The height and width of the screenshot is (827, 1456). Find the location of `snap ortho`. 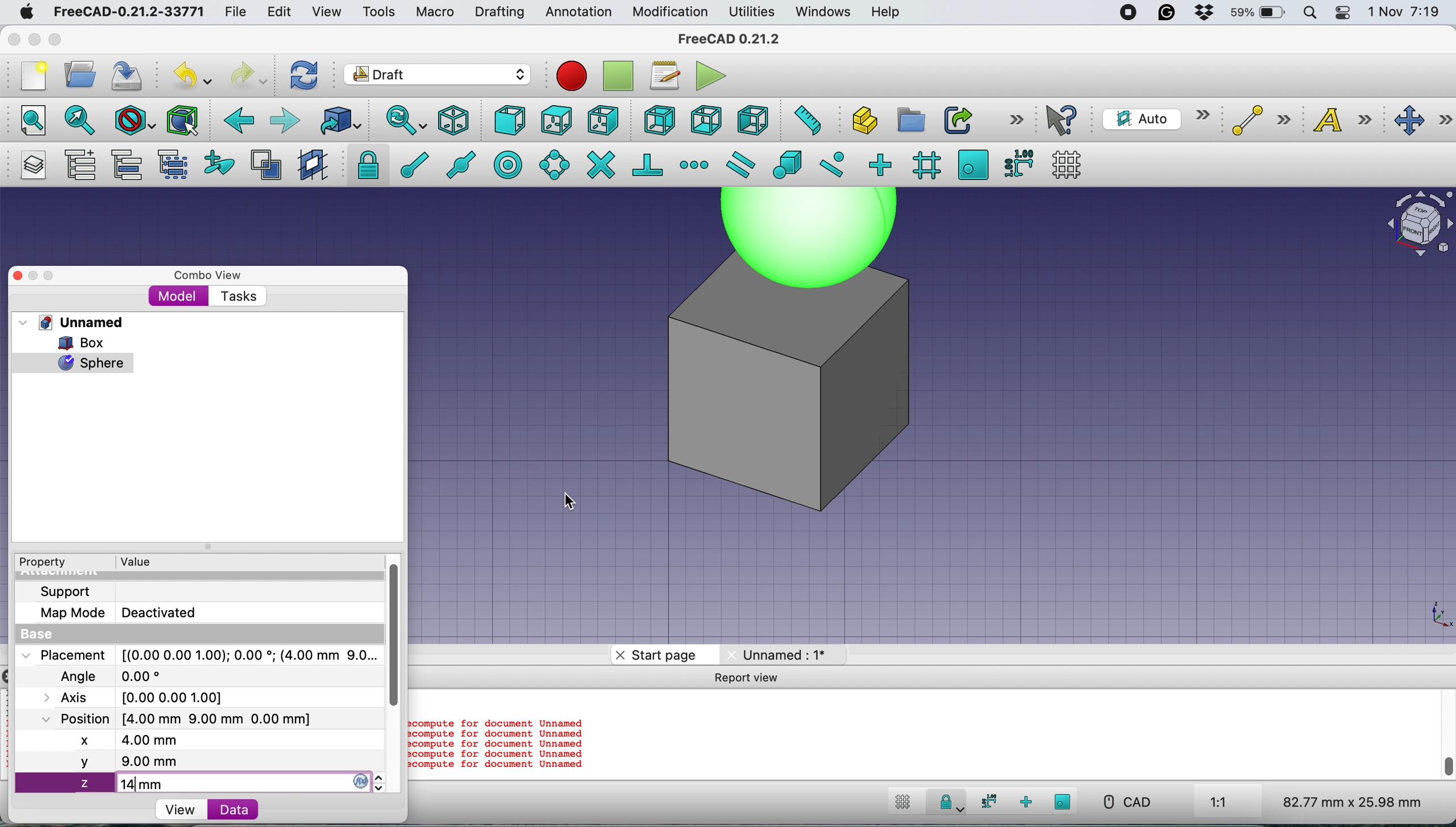

snap ortho is located at coordinates (1027, 802).